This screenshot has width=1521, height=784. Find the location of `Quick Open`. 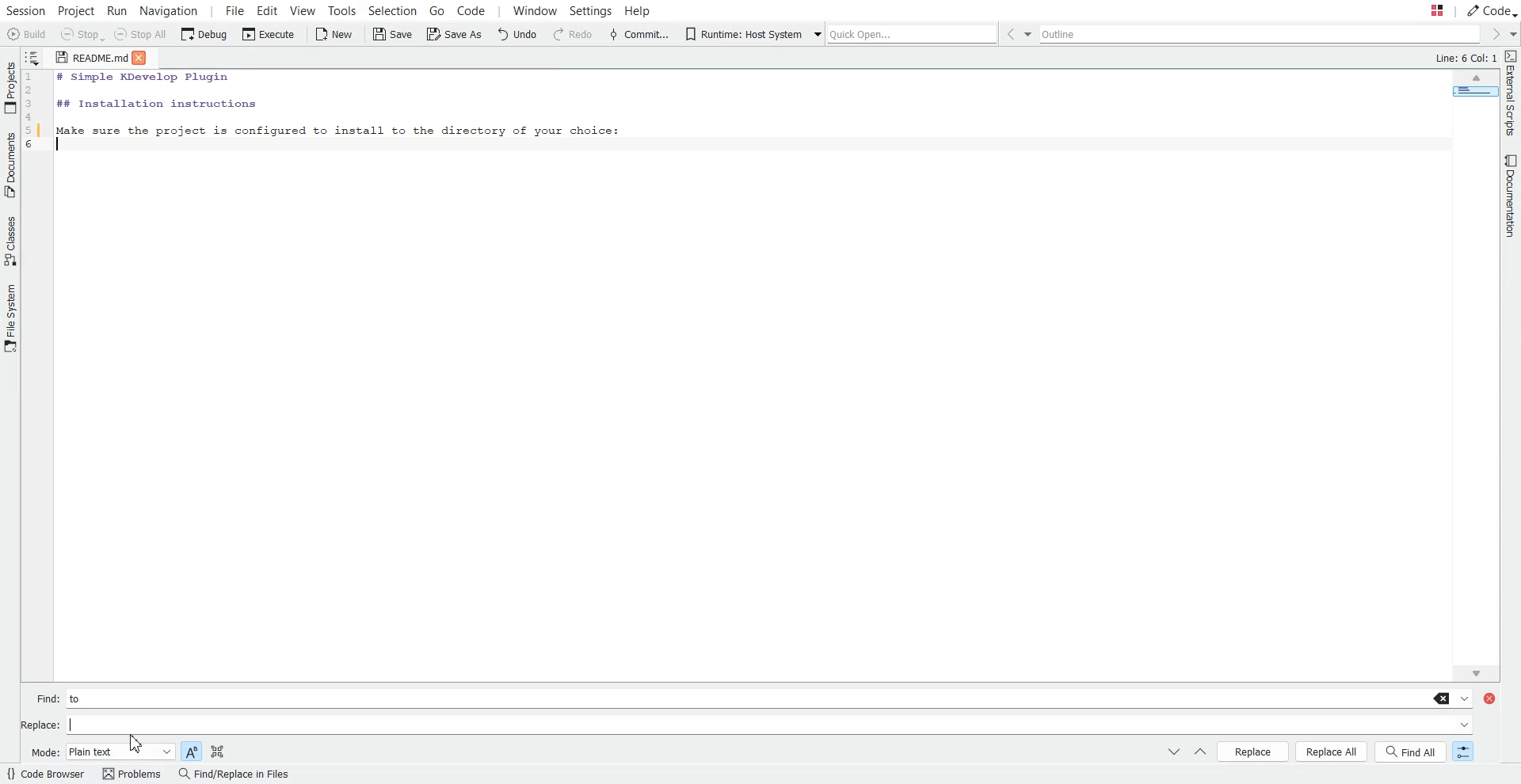

Quick Open is located at coordinates (902, 32).